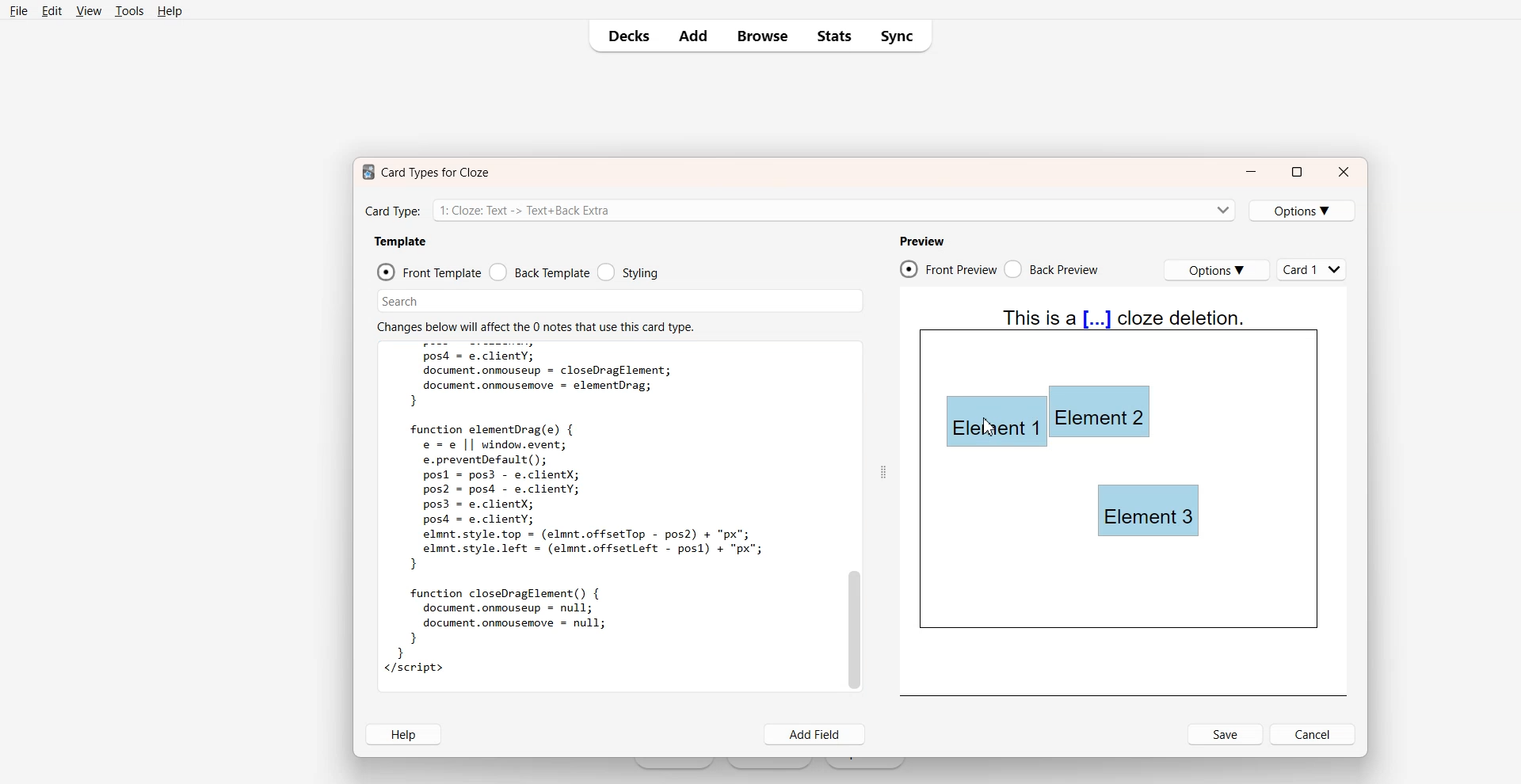 The image size is (1521, 784). Describe the element at coordinates (169, 10) in the screenshot. I see `Help` at that location.